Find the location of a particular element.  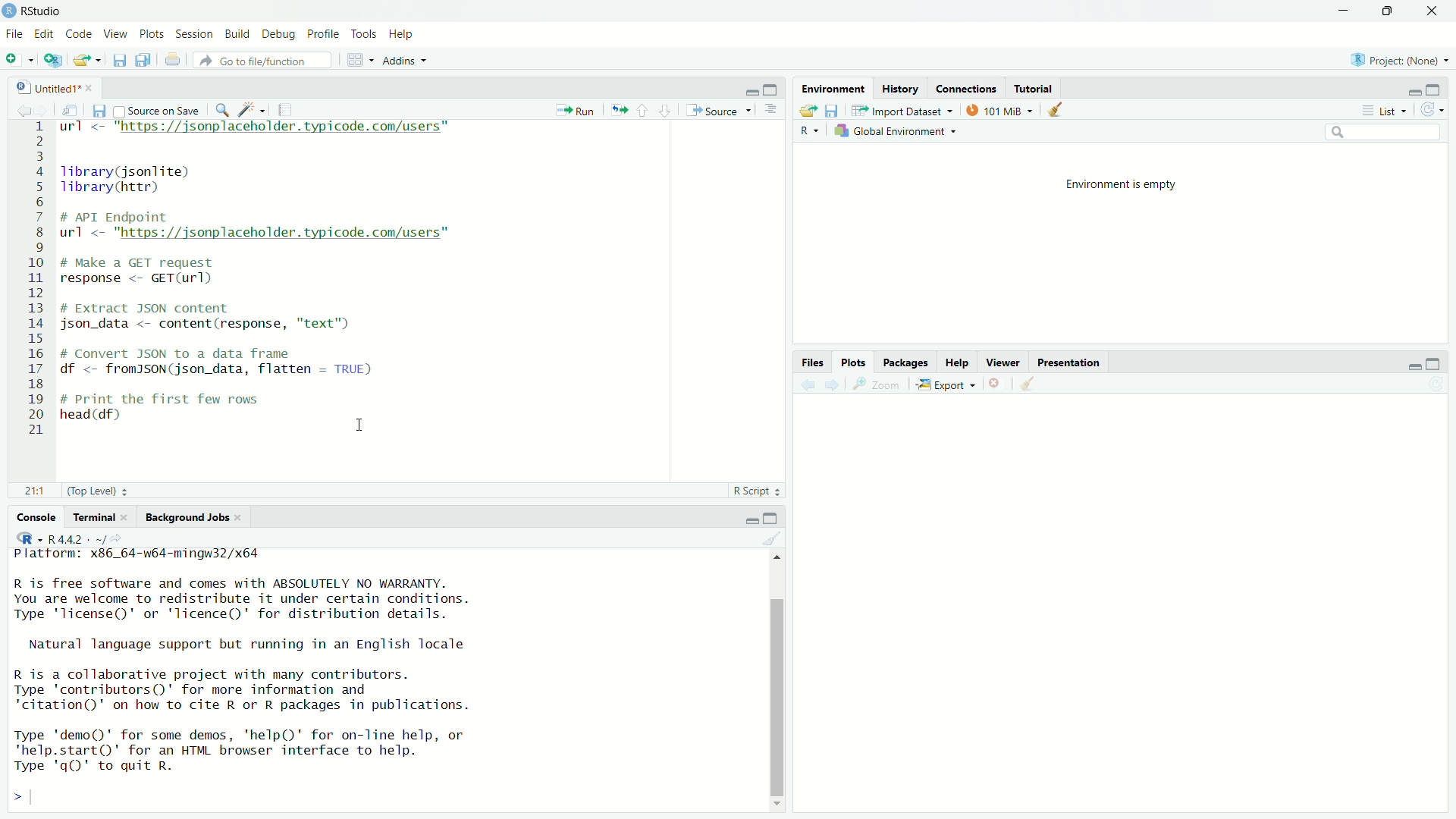

Viewer is located at coordinates (1004, 363).